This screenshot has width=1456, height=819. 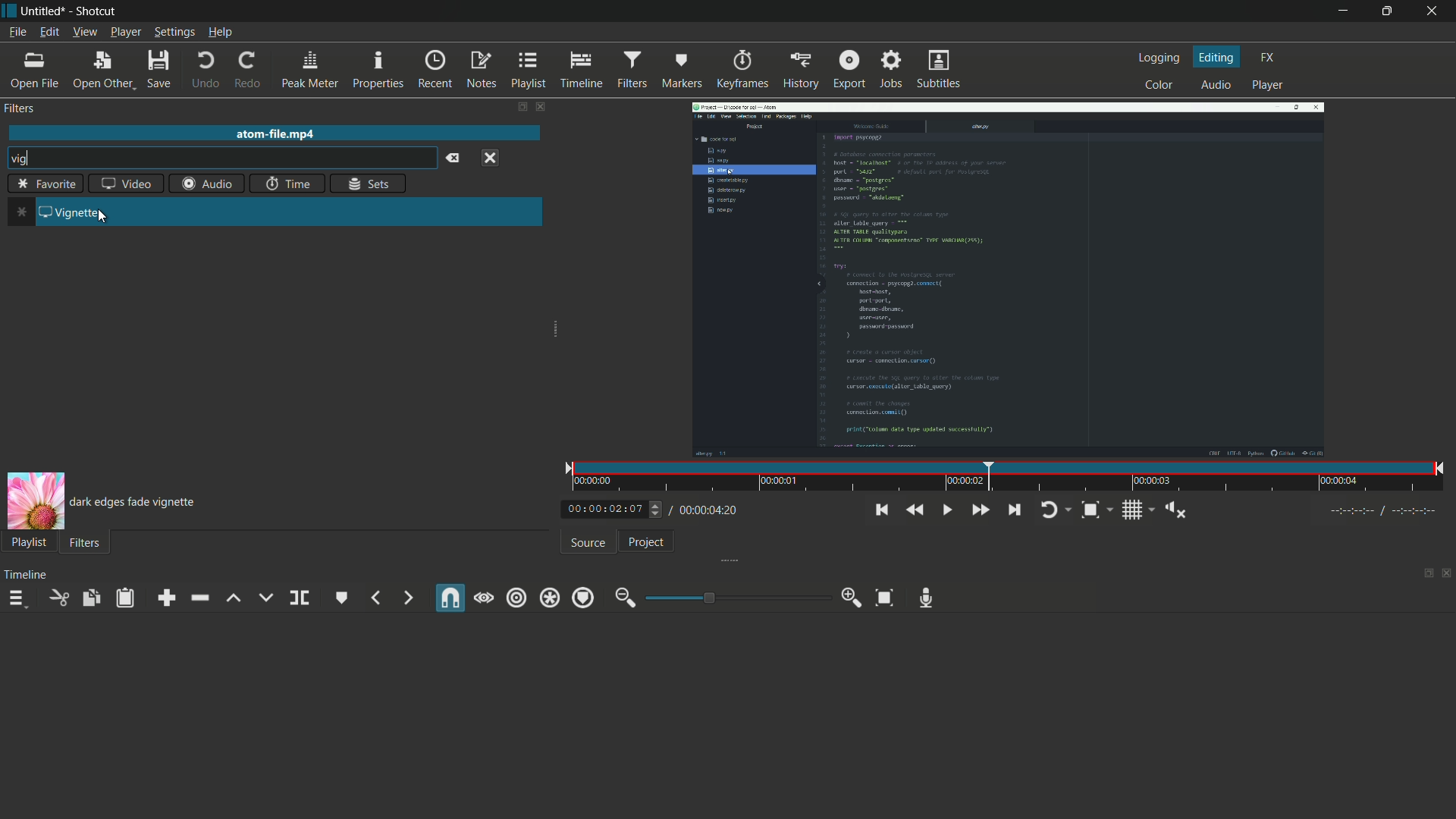 I want to click on subtitles, so click(x=940, y=70).